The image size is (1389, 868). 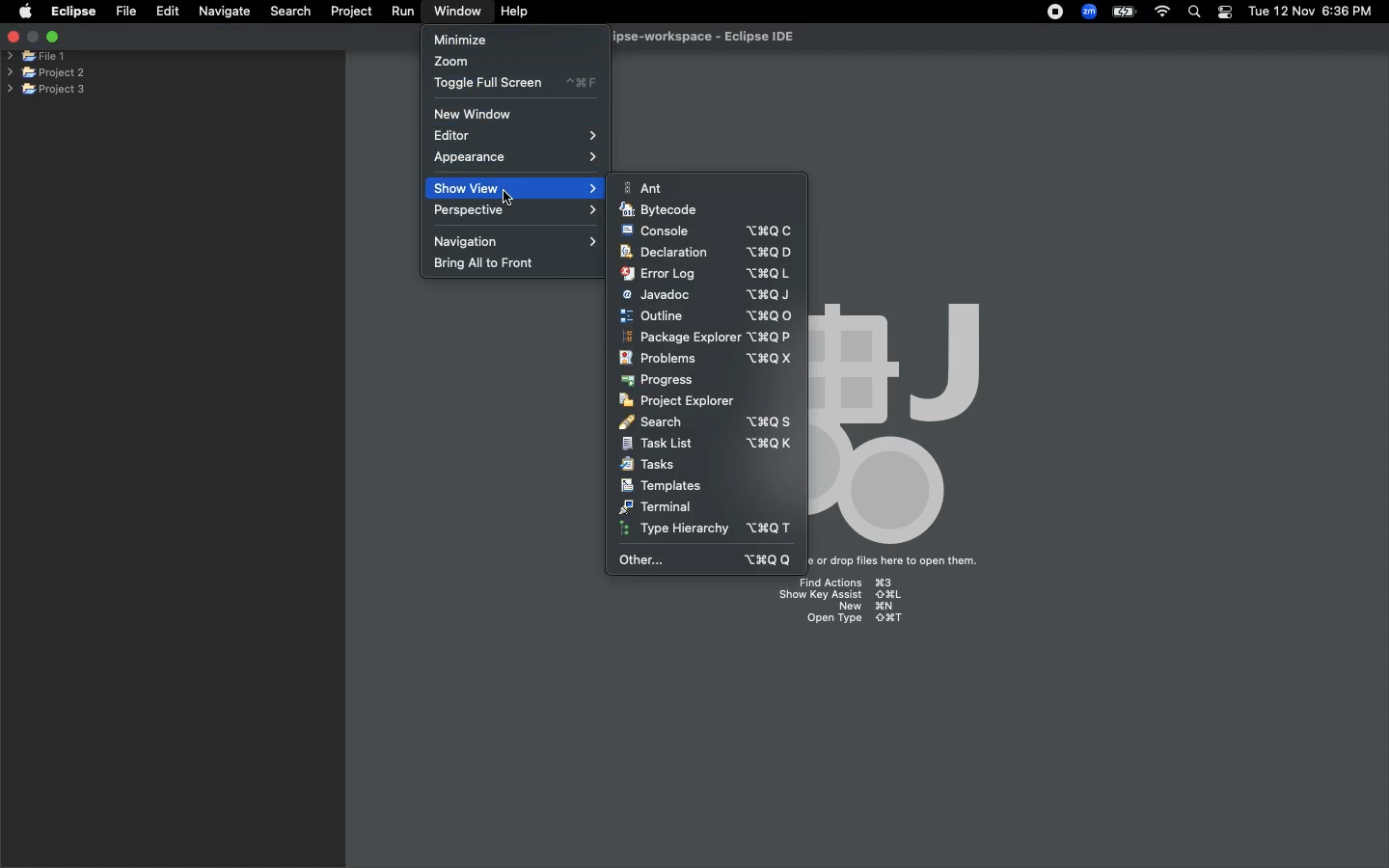 What do you see at coordinates (1090, 12) in the screenshot?
I see `Zoom` at bounding box center [1090, 12].